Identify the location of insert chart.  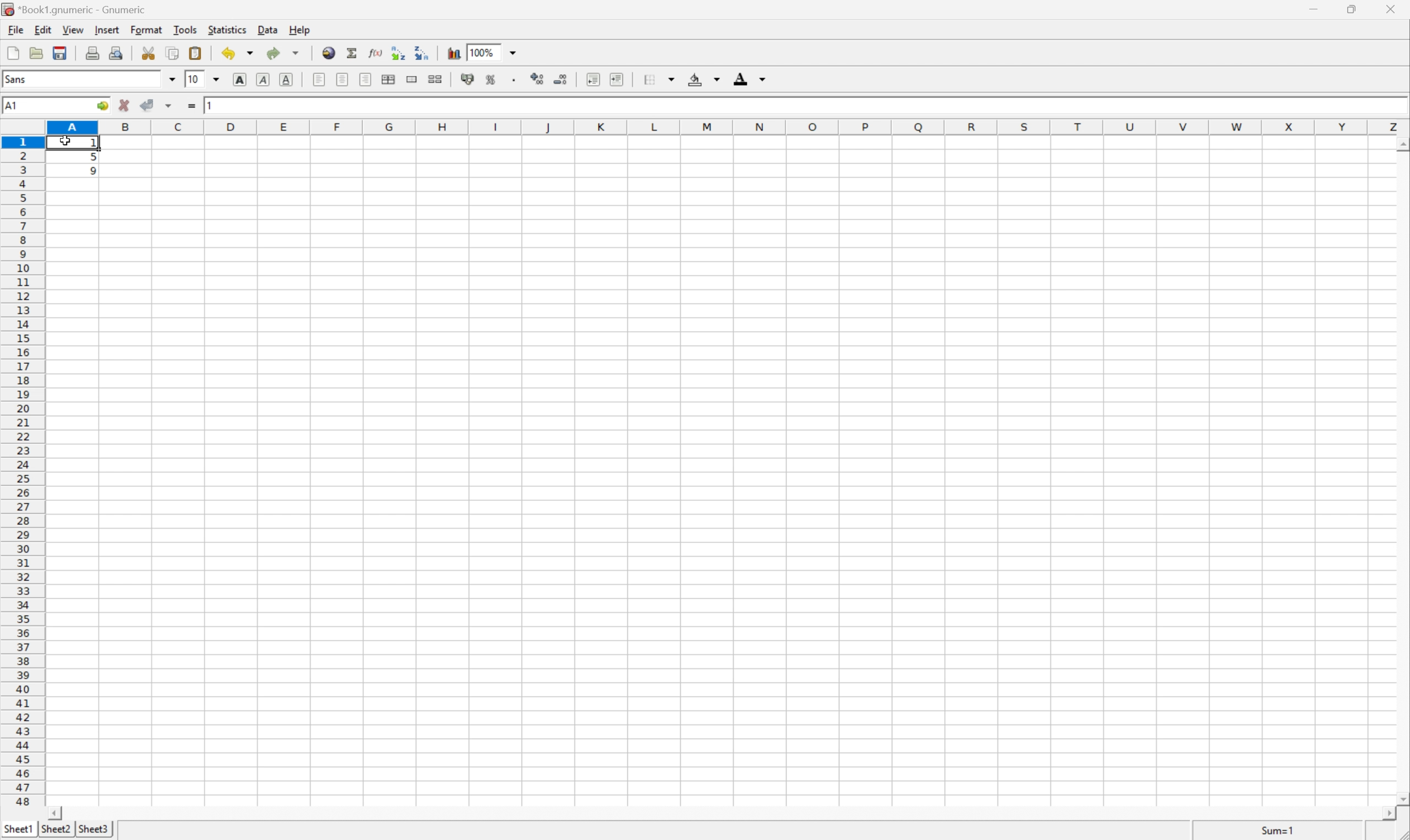
(453, 52).